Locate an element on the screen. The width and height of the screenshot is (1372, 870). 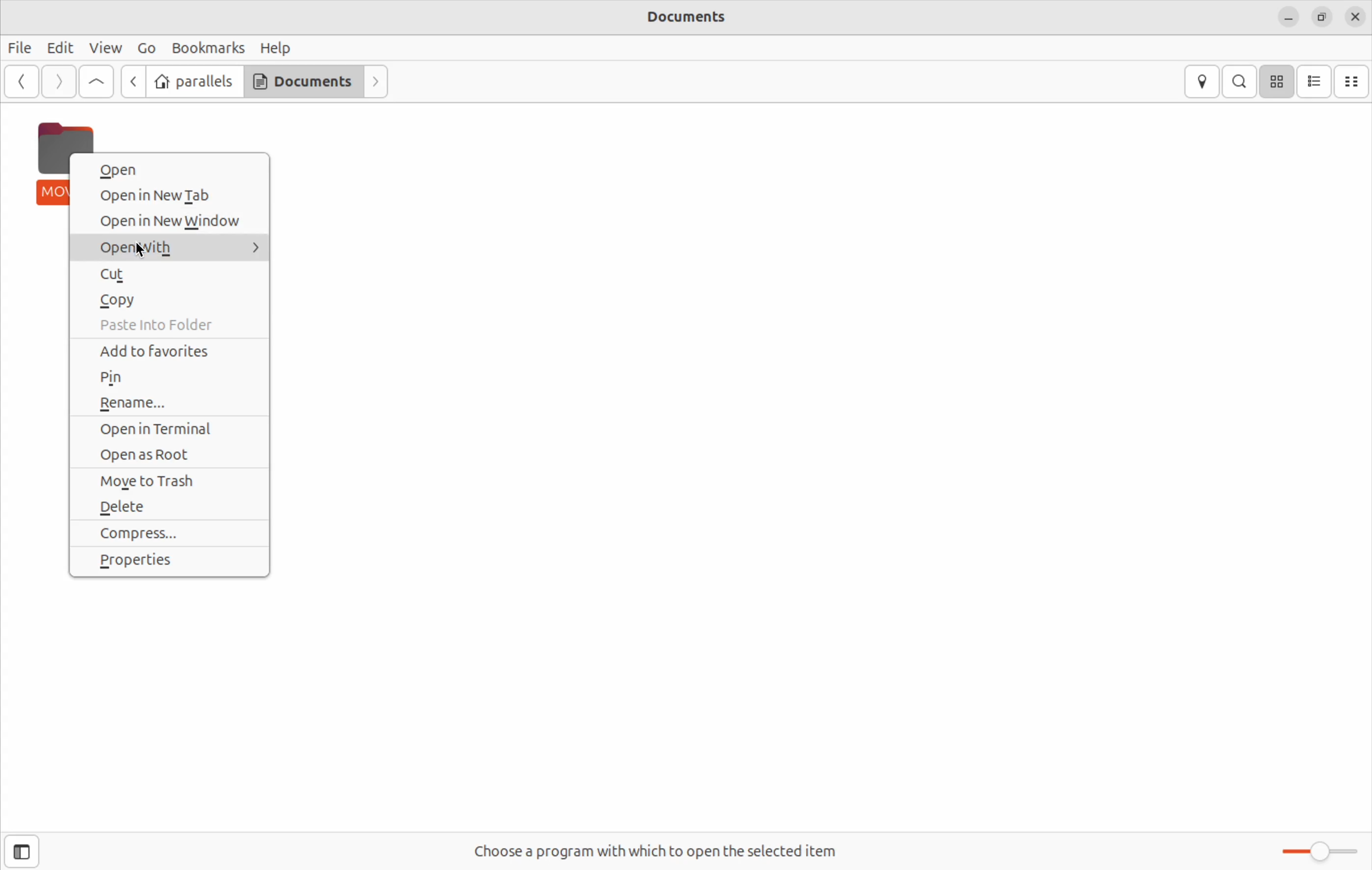
open in terminal is located at coordinates (169, 431).